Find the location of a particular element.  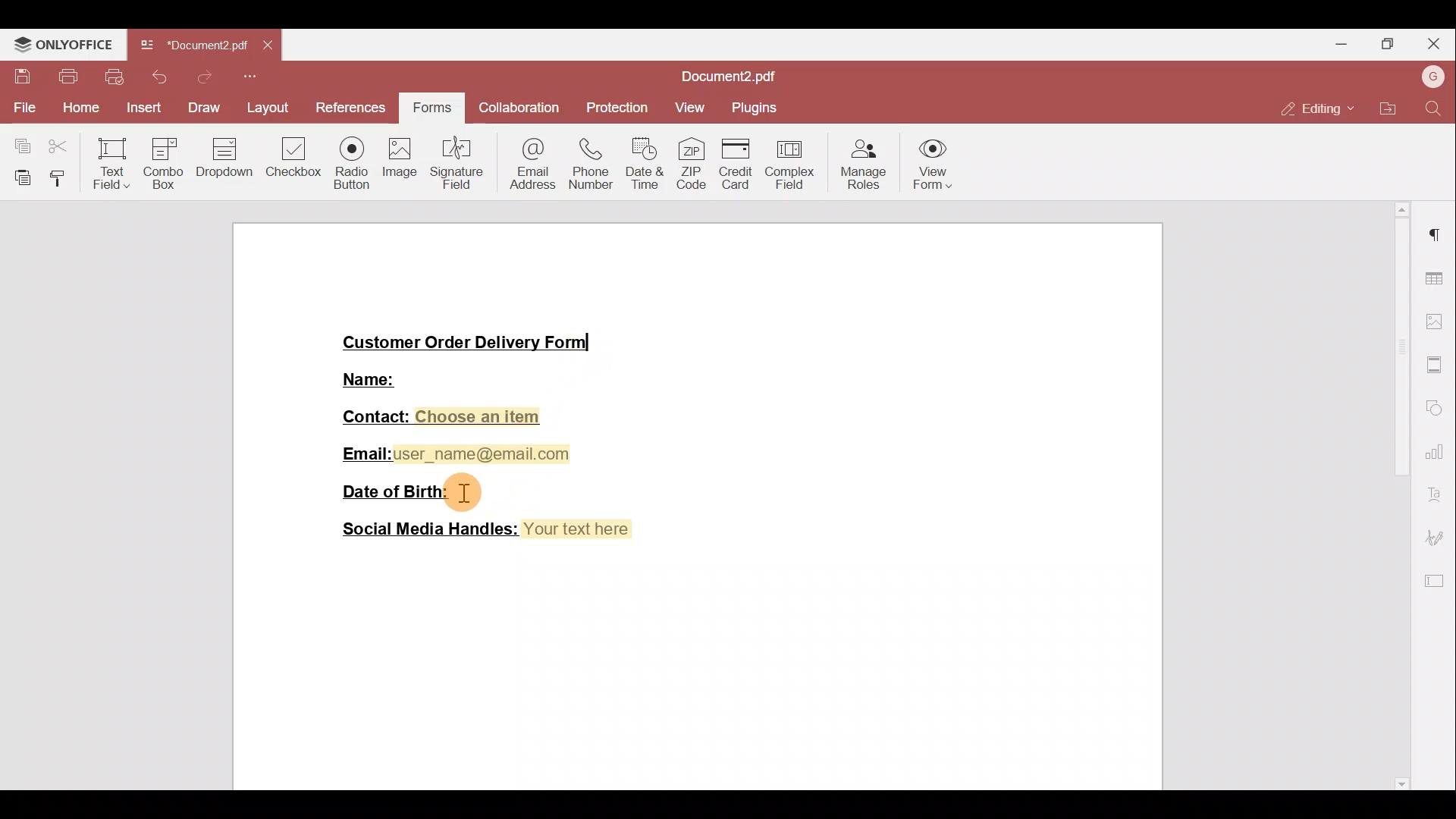

Find is located at coordinates (1434, 107).